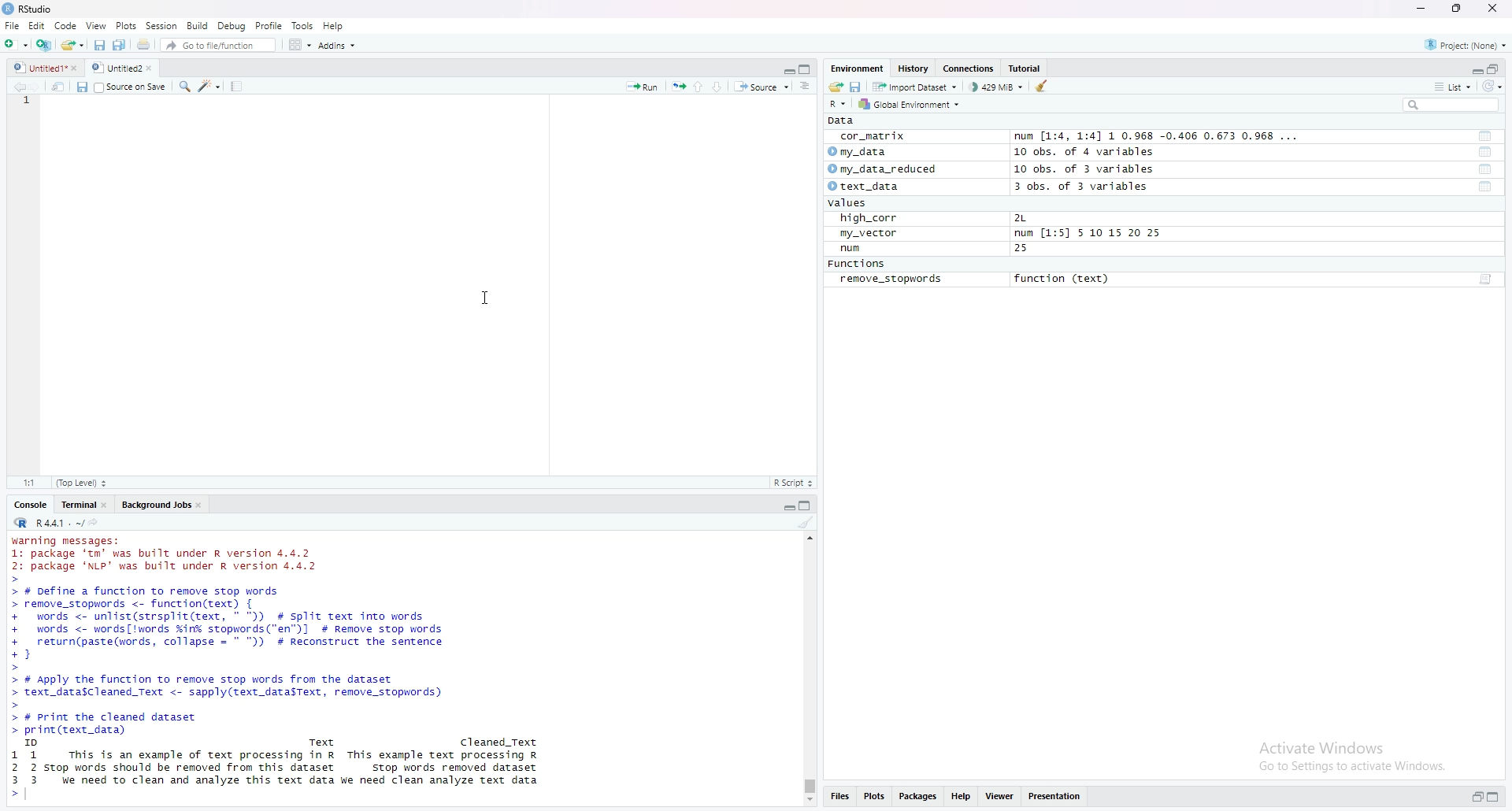 The height and width of the screenshot is (811, 1512). Describe the element at coordinates (716, 87) in the screenshot. I see `Next section` at that location.